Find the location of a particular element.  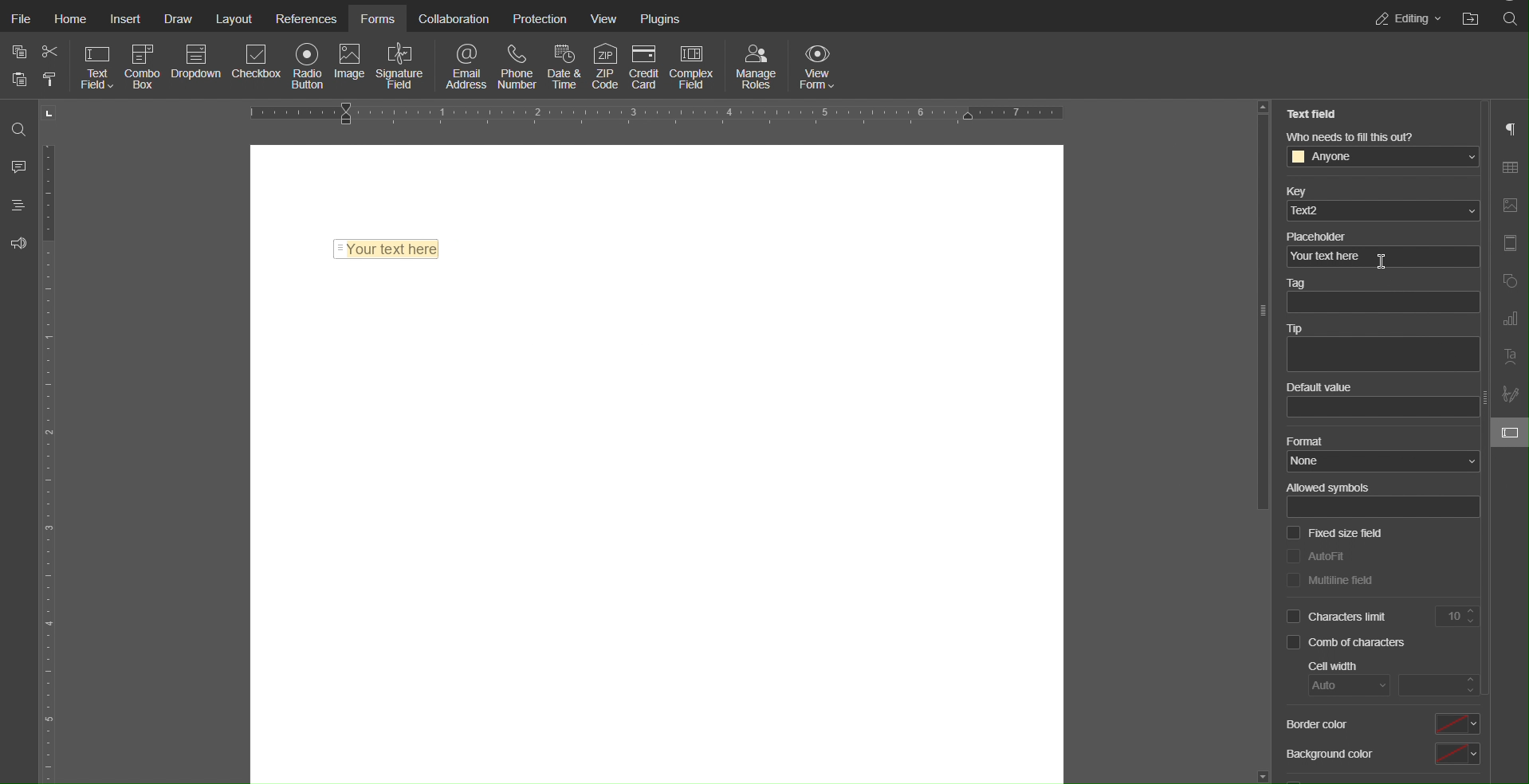

View is located at coordinates (605, 19).